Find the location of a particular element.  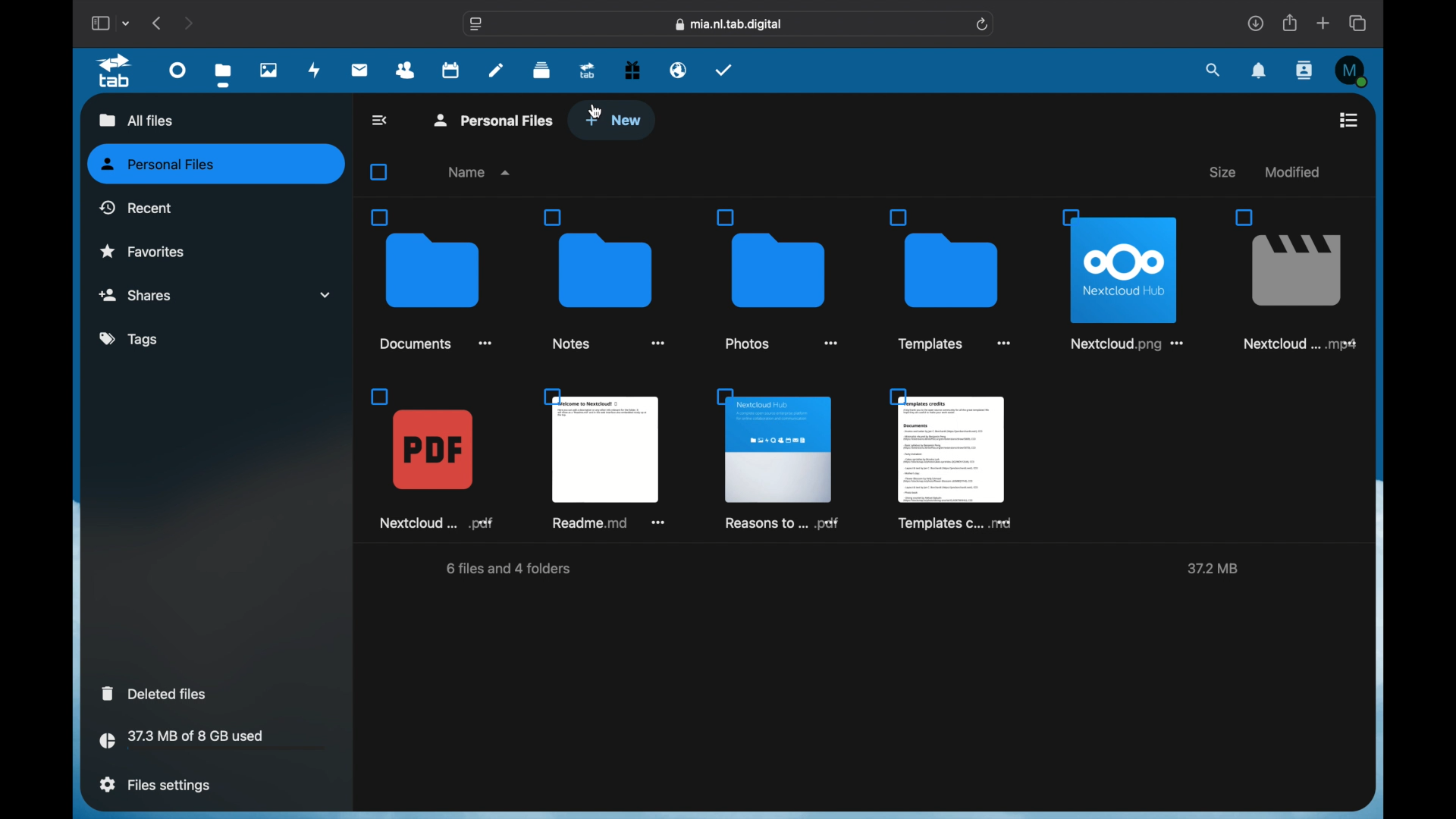

show sidebar is located at coordinates (99, 23).